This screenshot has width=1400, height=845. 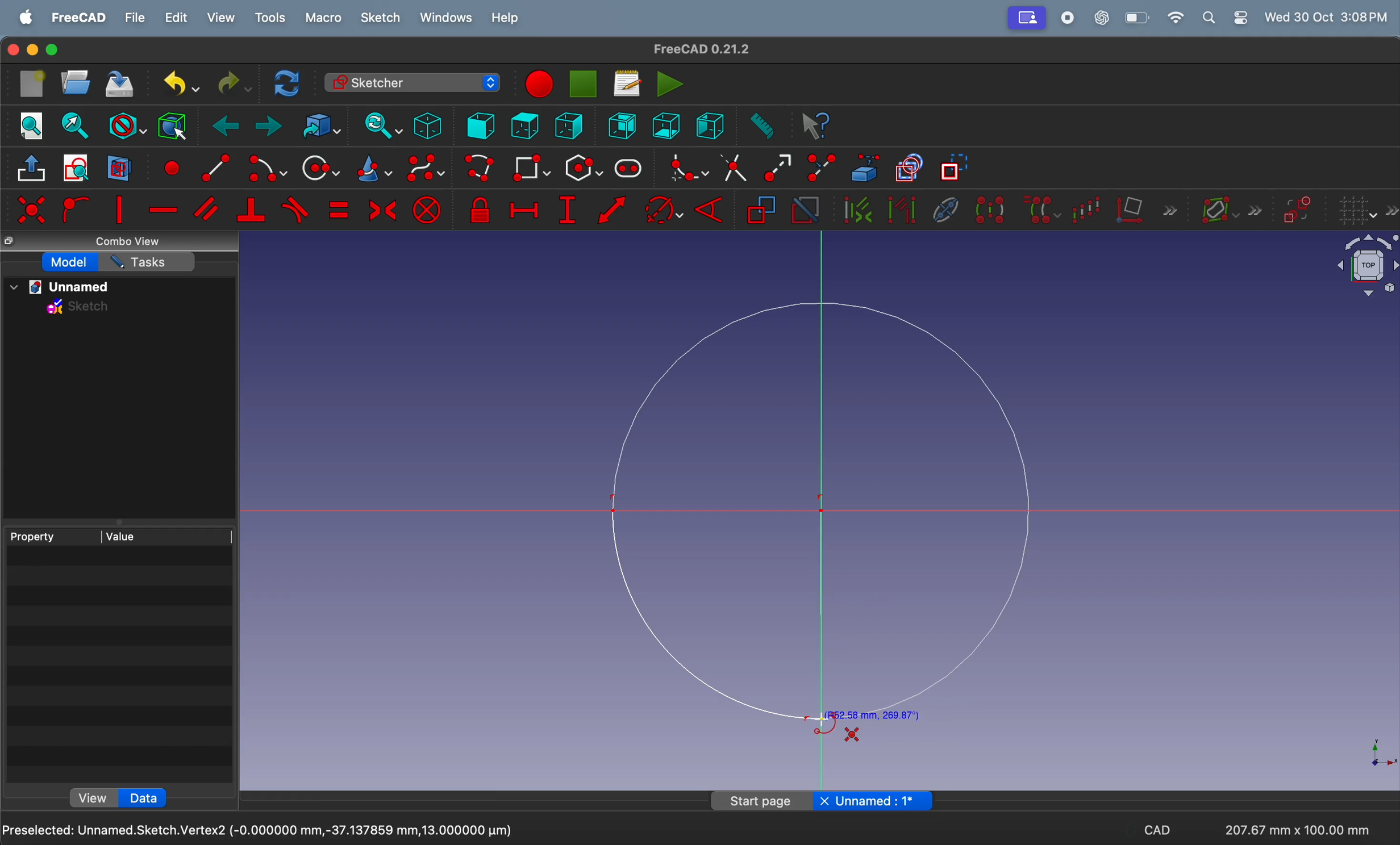 I want to click on constrain parallel, so click(x=209, y=209).